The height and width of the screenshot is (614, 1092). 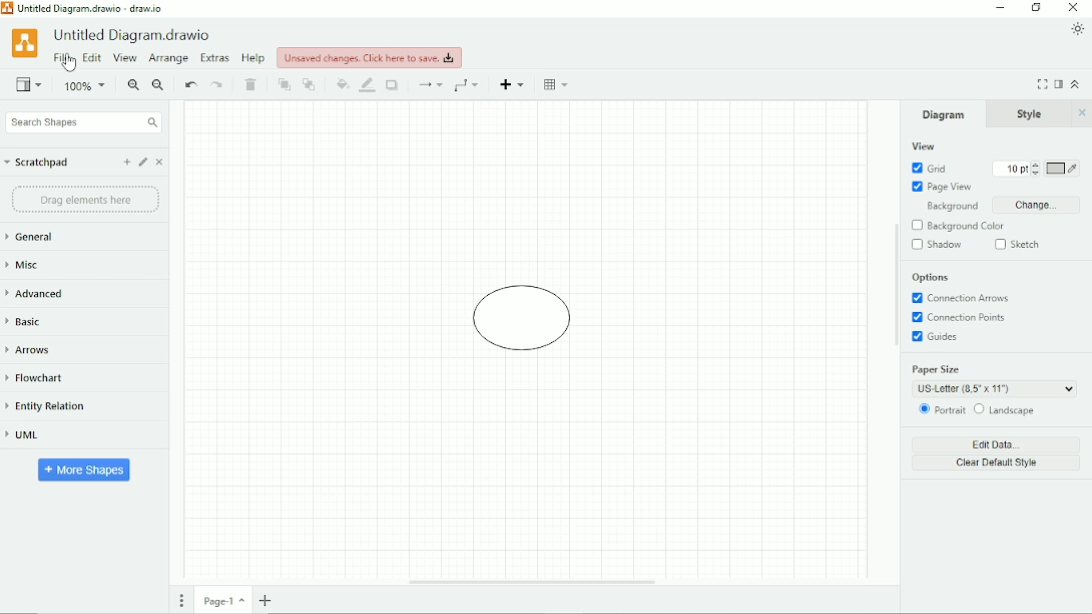 What do you see at coordinates (265, 600) in the screenshot?
I see `Insert page` at bounding box center [265, 600].